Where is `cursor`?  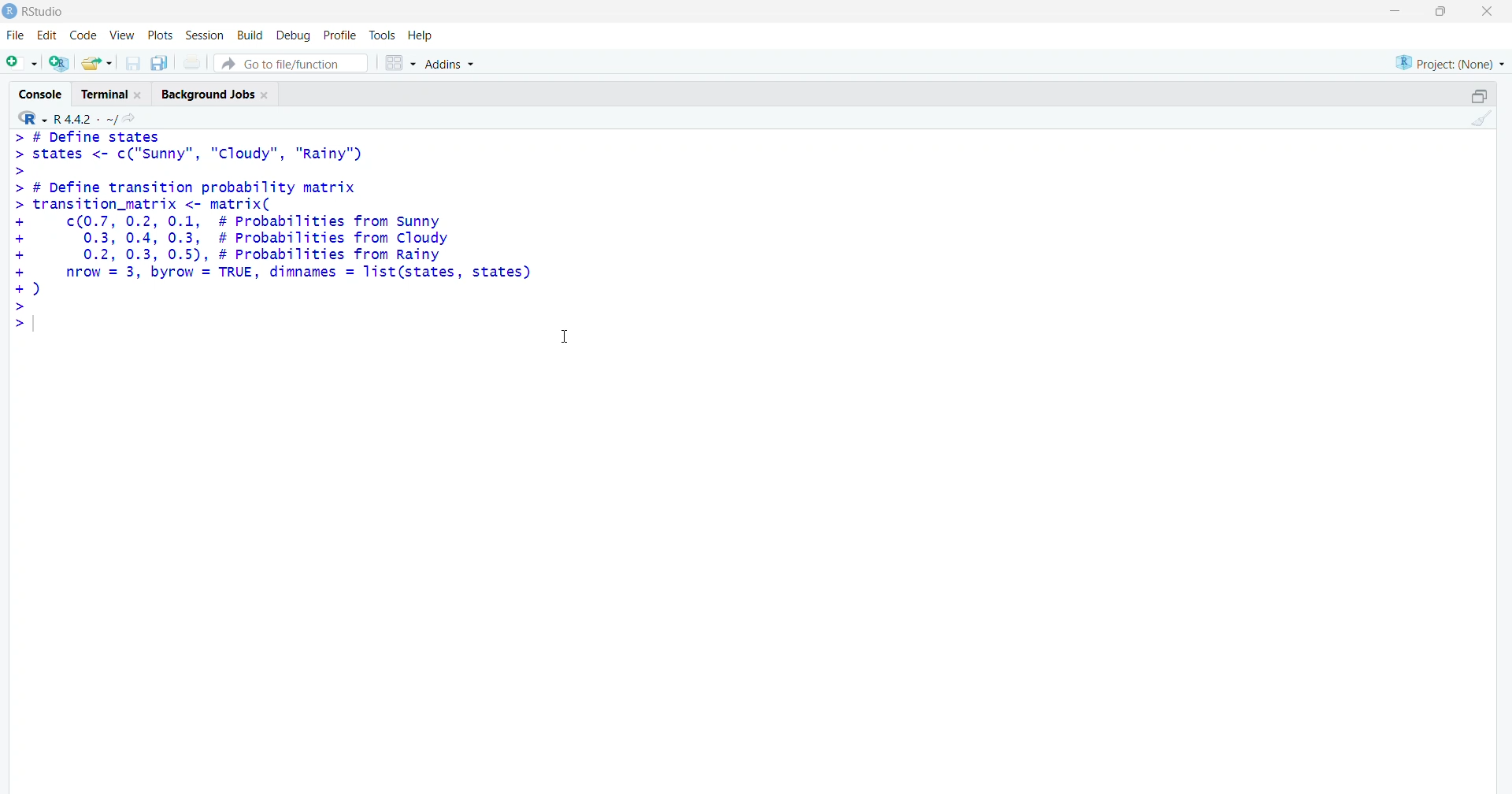 cursor is located at coordinates (569, 341).